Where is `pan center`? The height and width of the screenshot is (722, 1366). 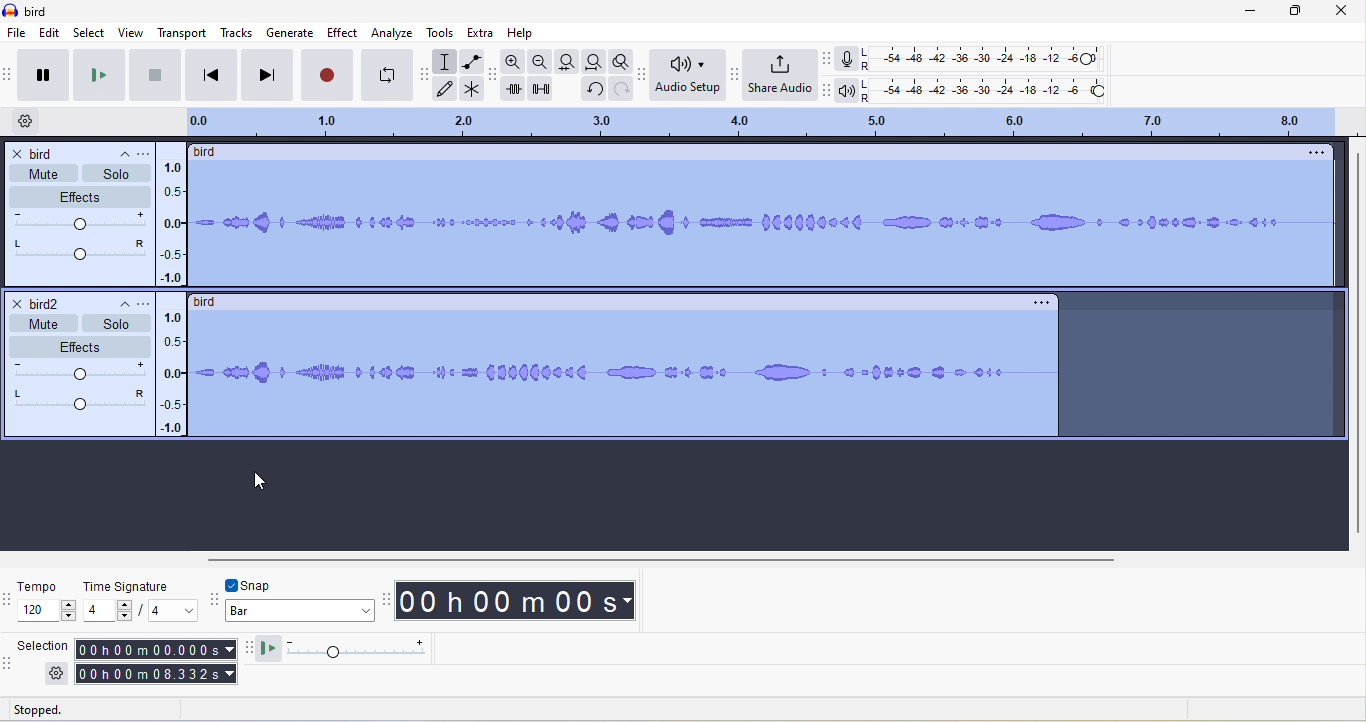
pan center is located at coordinates (82, 399).